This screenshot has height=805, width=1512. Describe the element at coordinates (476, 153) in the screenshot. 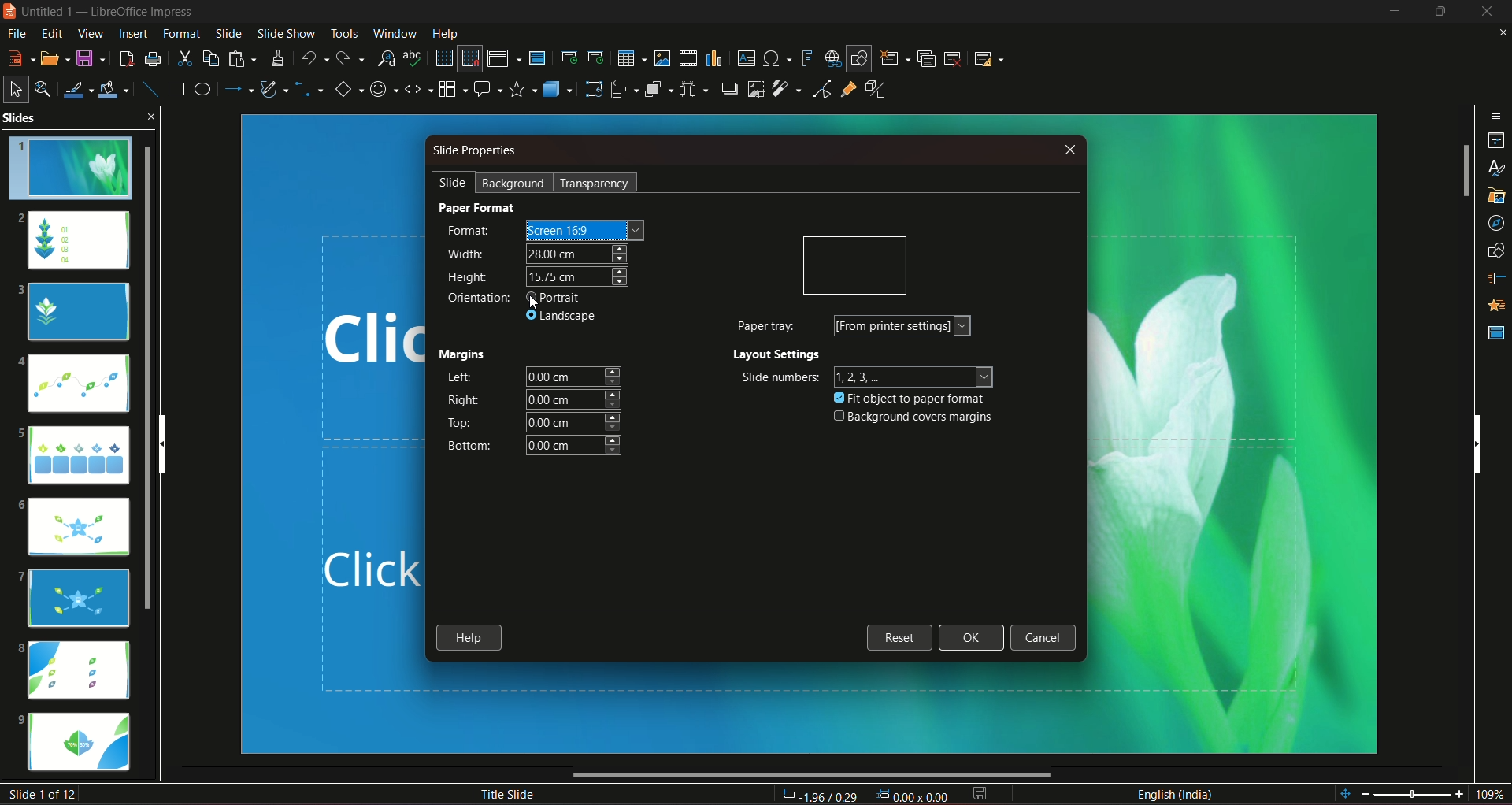

I see `slide properties` at that location.